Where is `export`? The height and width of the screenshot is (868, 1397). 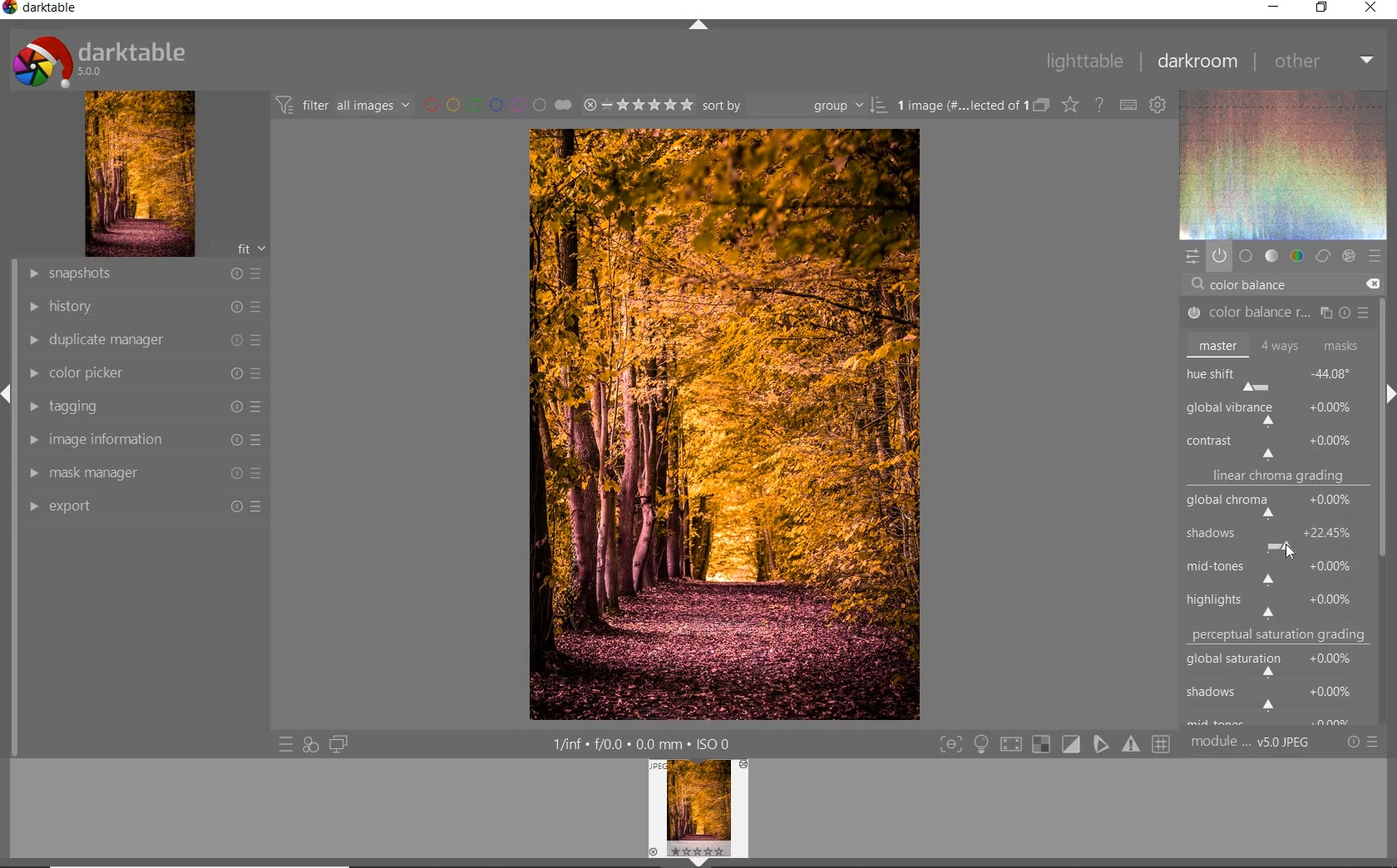
export is located at coordinates (146, 506).